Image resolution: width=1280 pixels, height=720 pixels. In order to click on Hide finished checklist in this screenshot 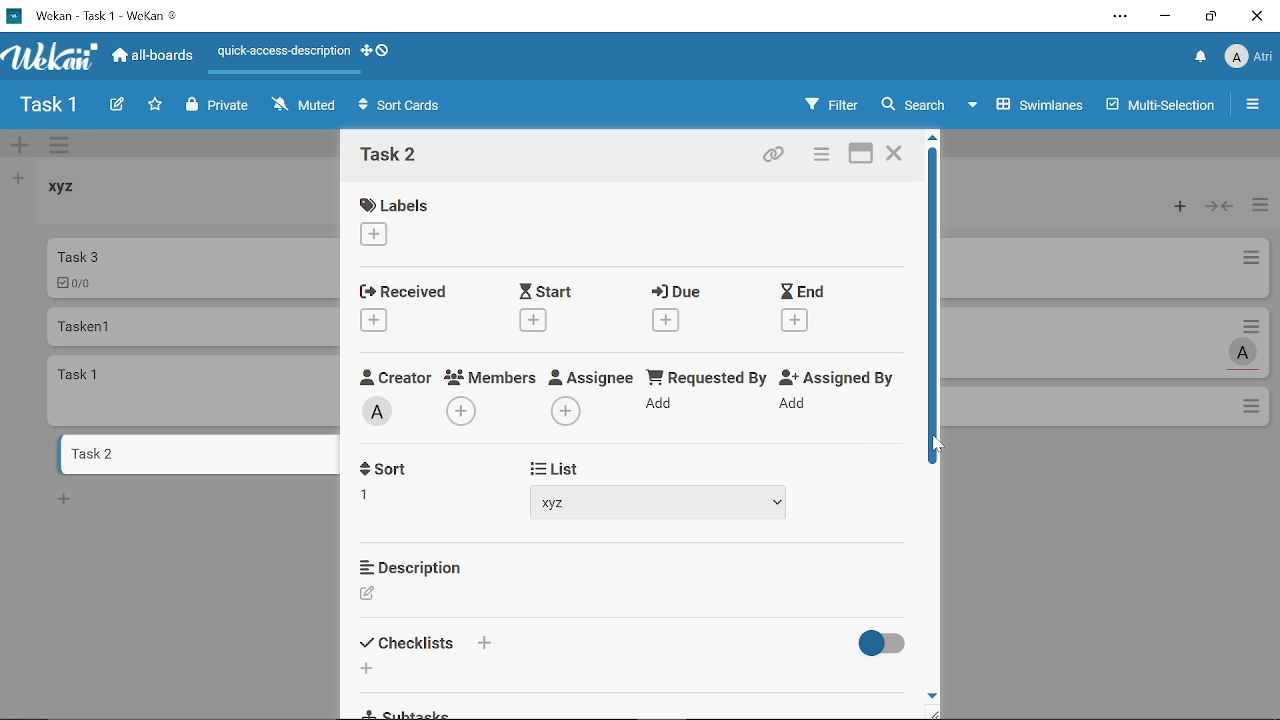, I will do `click(886, 644)`.